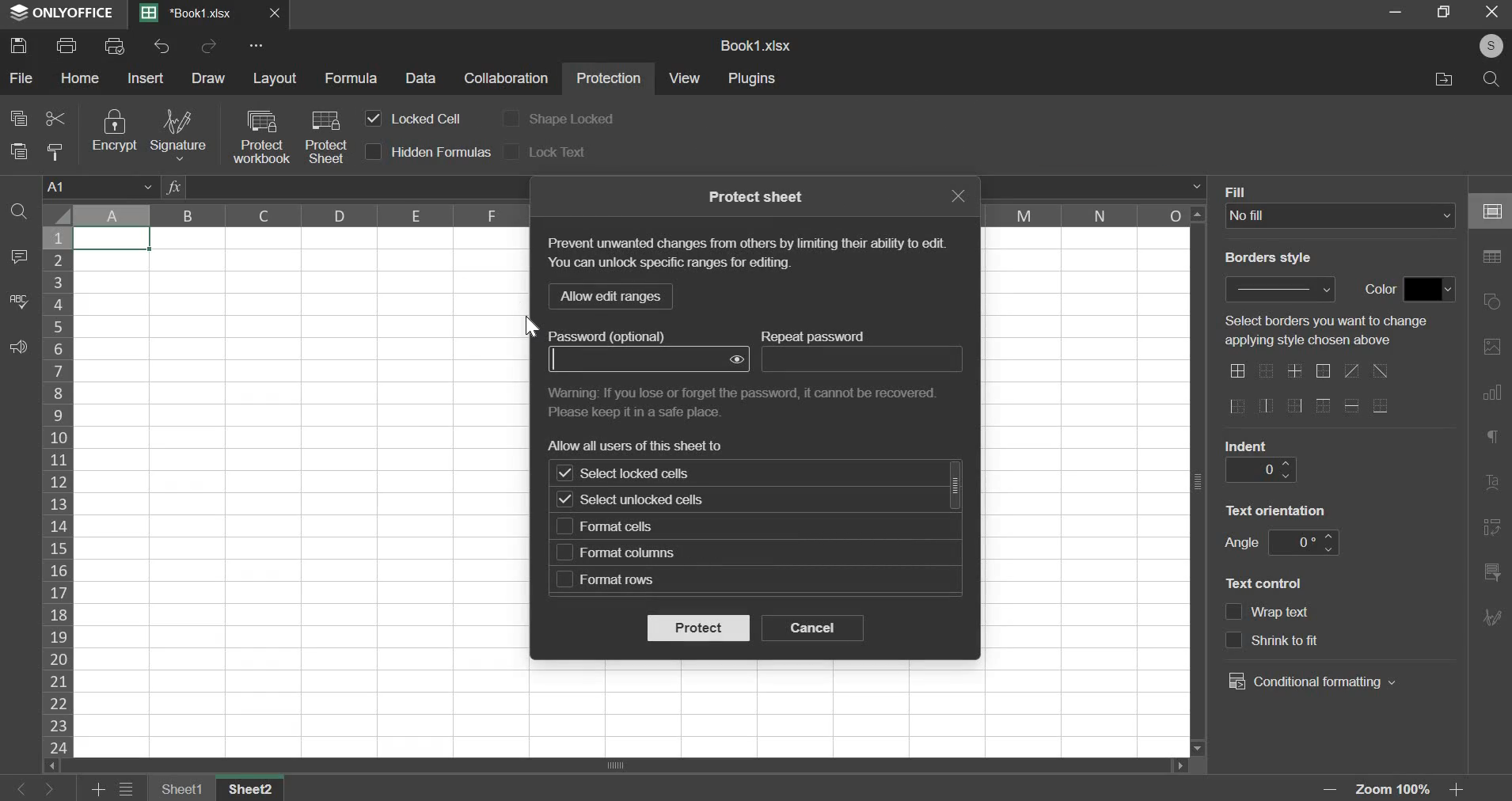  I want to click on comment, so click(16, 257).